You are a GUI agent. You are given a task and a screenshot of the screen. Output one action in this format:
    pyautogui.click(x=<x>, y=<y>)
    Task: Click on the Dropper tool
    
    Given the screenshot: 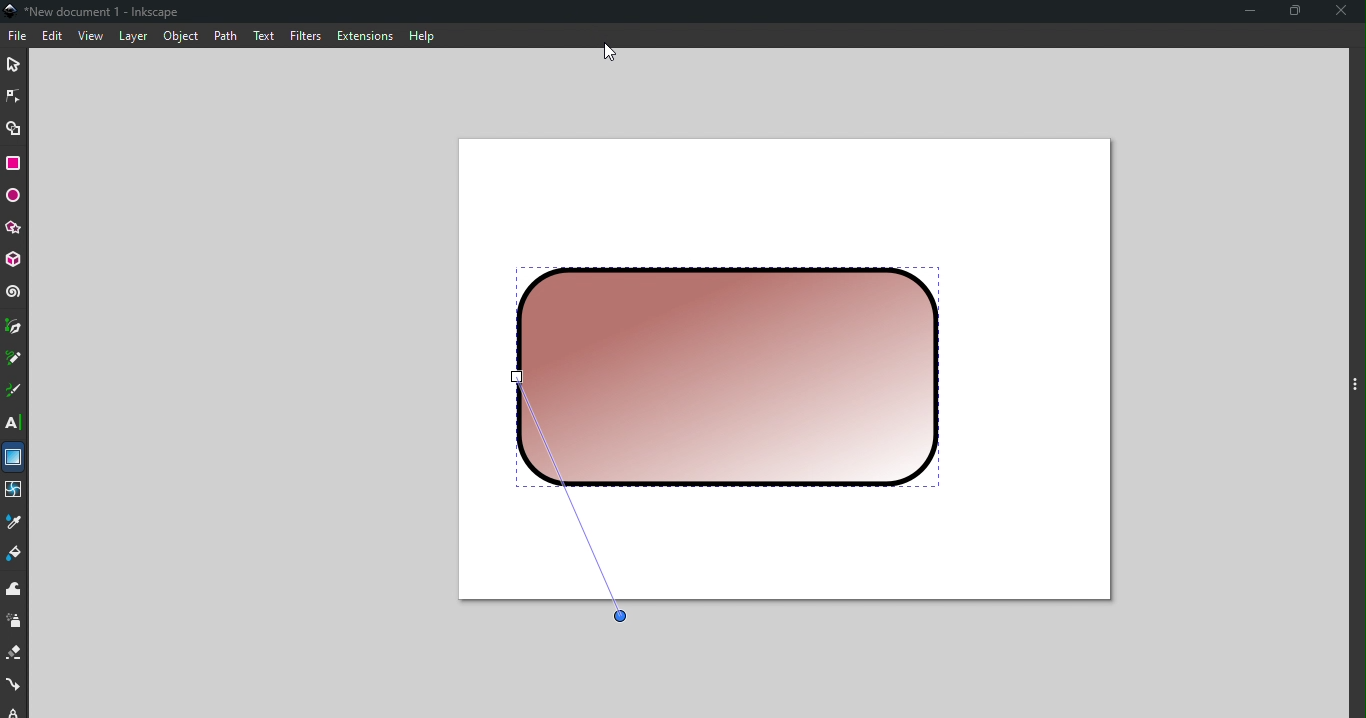 What is the action you would take?
    pyautogui.click(x=15, y=523)
    